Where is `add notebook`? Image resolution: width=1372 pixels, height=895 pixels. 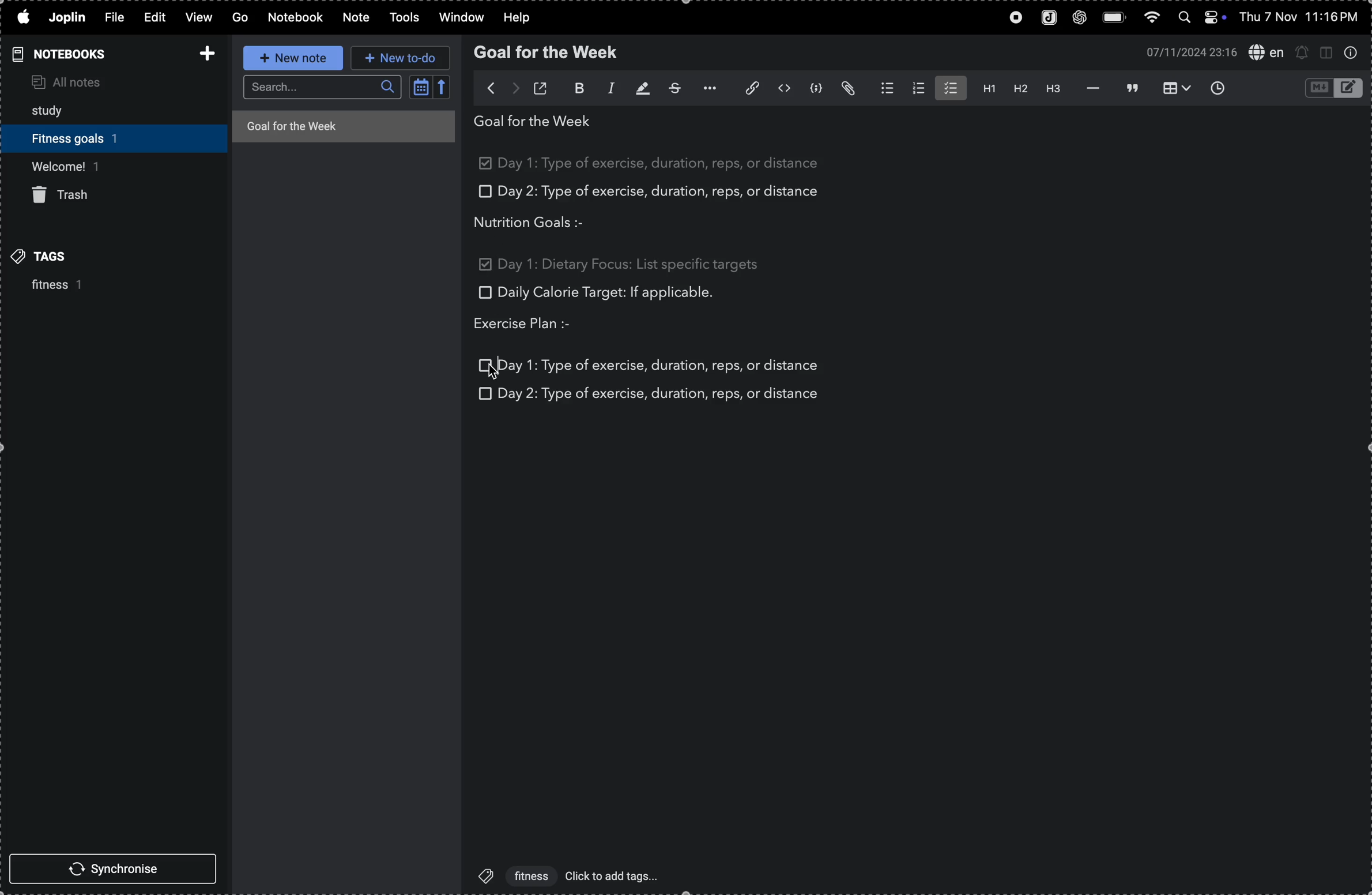
add notebook is located at coordinates (203, 52).